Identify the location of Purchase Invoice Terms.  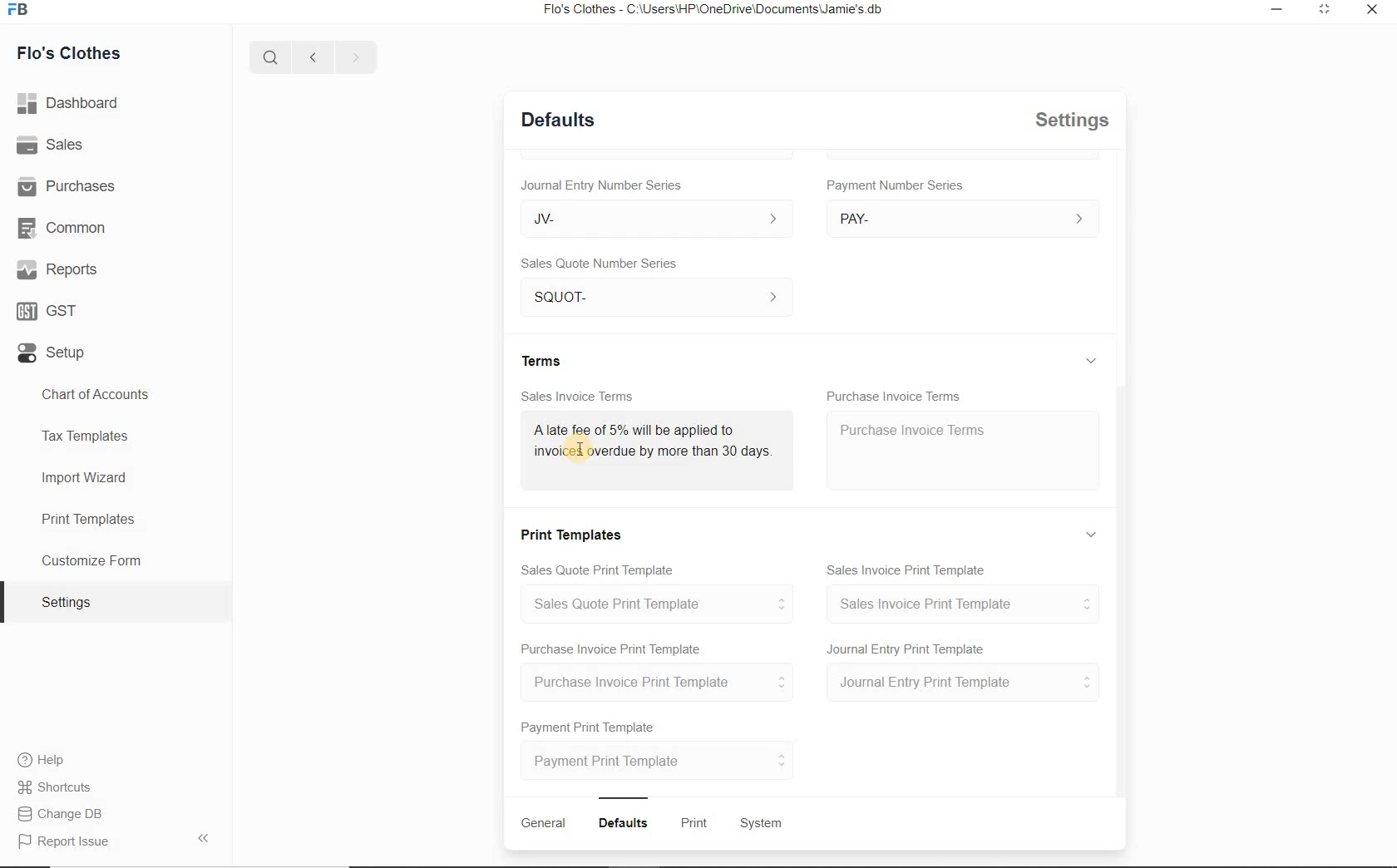
(911, 428).